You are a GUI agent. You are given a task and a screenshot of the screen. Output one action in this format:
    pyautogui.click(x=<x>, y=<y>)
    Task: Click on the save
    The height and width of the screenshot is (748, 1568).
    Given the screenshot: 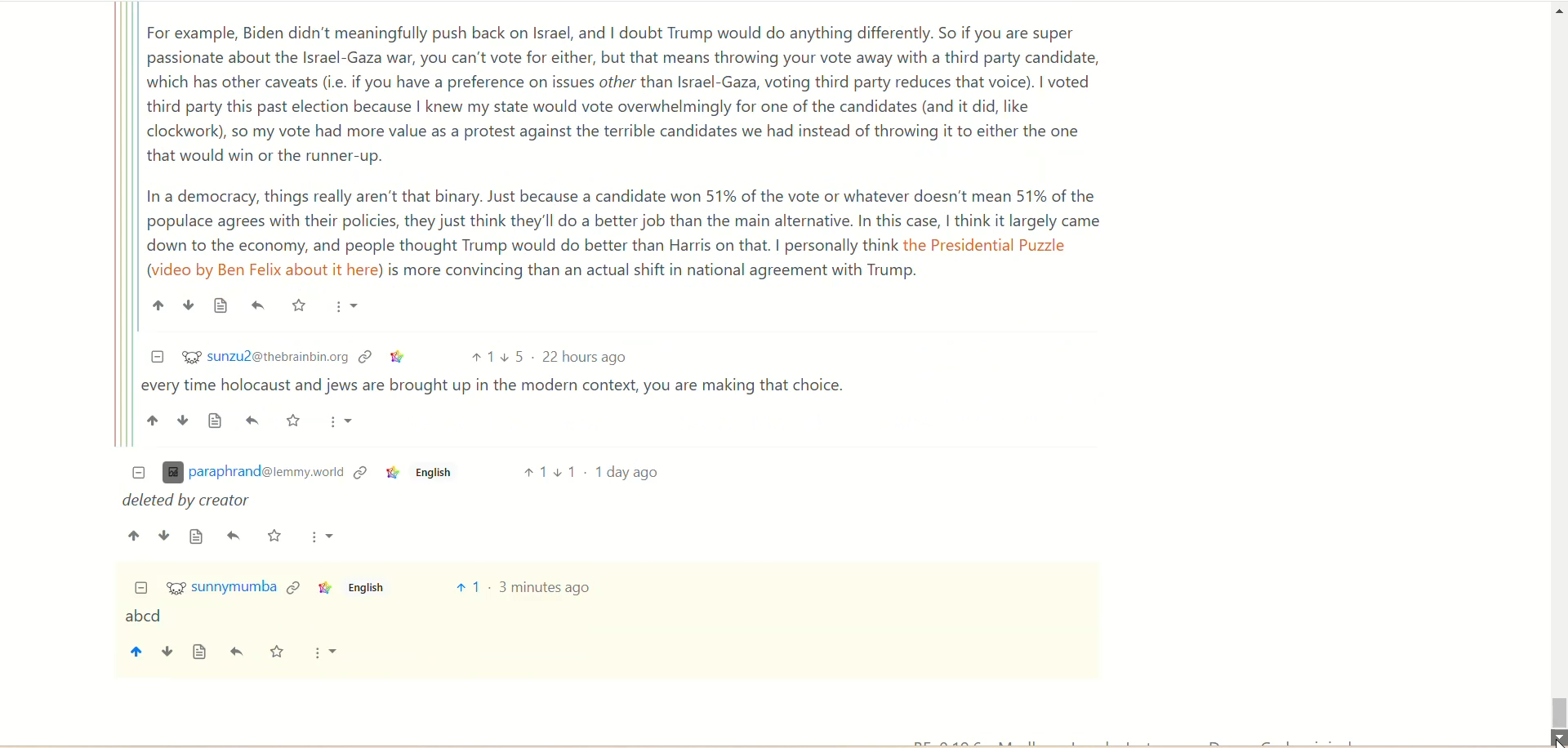 What is the action you would take?
    pyautogui.click(x=280, y=653)
    